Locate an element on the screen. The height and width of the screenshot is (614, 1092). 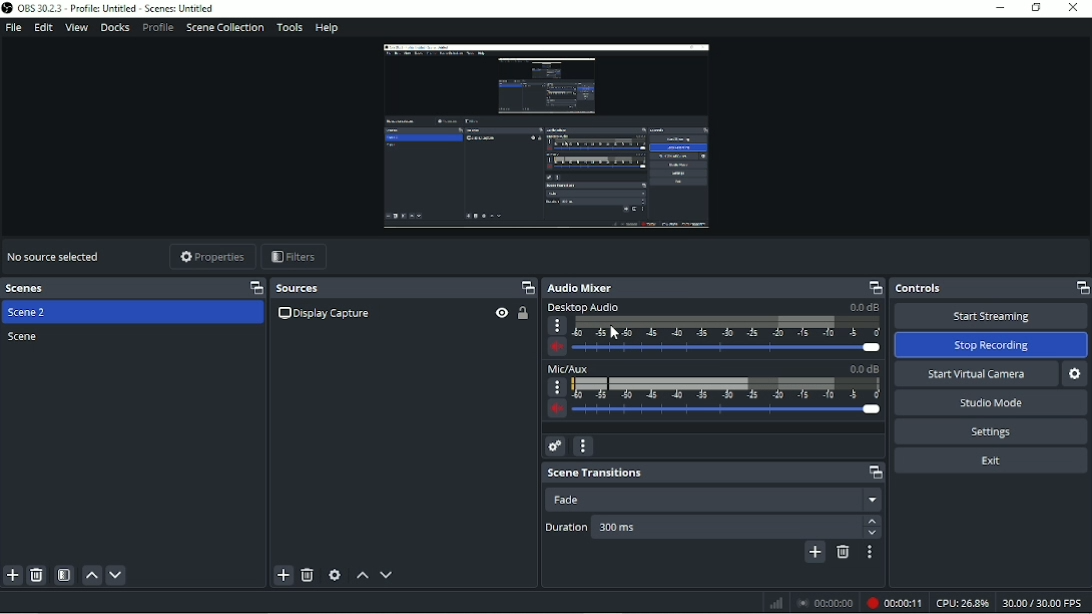
Cursor is located at coordinates (616, 333).